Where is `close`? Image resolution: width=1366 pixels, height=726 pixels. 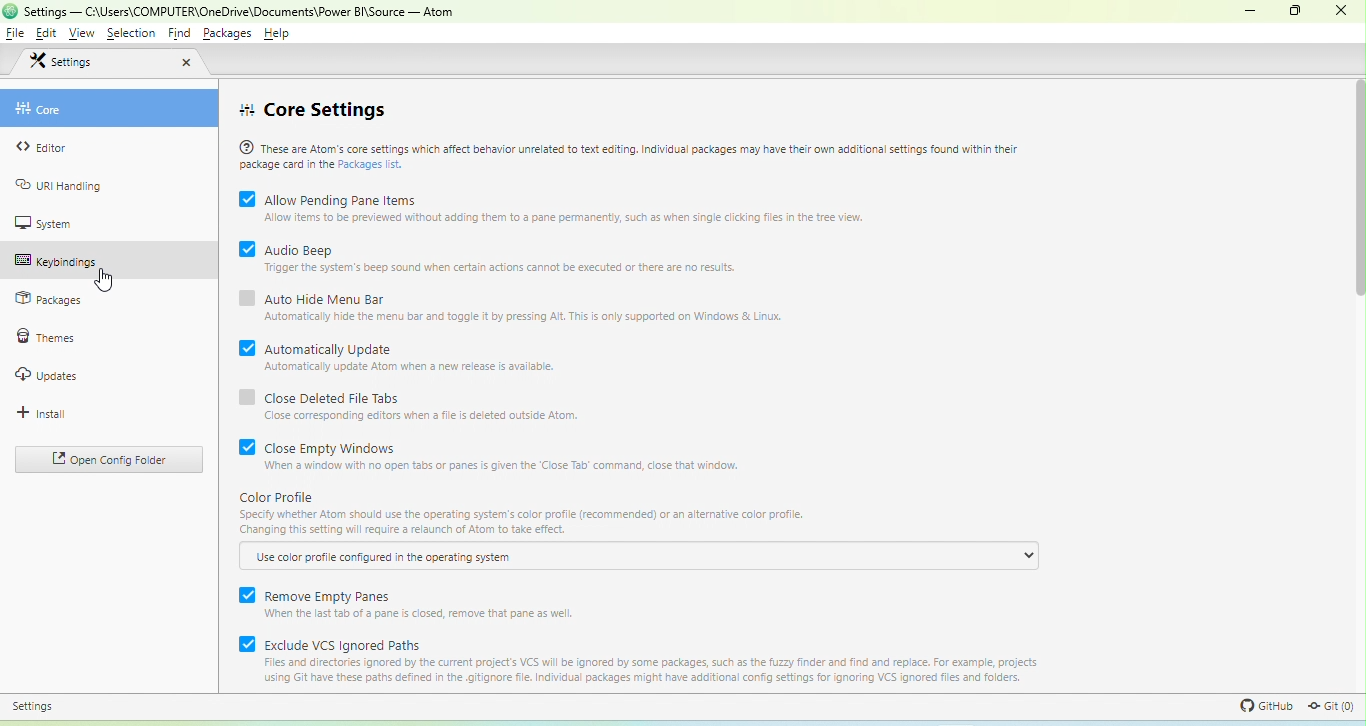
close is located at coordinates (185, 62).